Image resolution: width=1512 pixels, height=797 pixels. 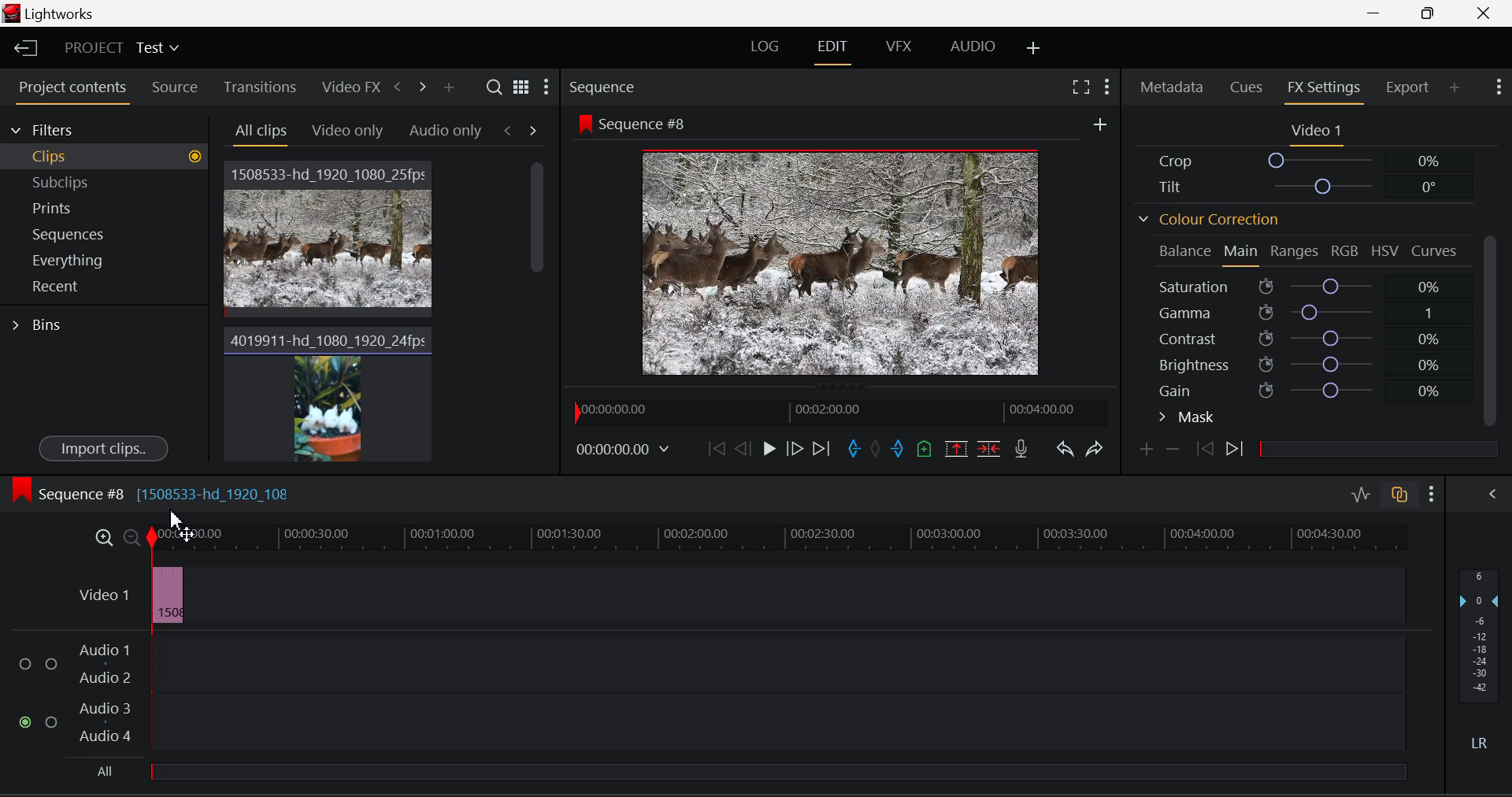 I want to click on Audio 2, so click(x=107, y=678).